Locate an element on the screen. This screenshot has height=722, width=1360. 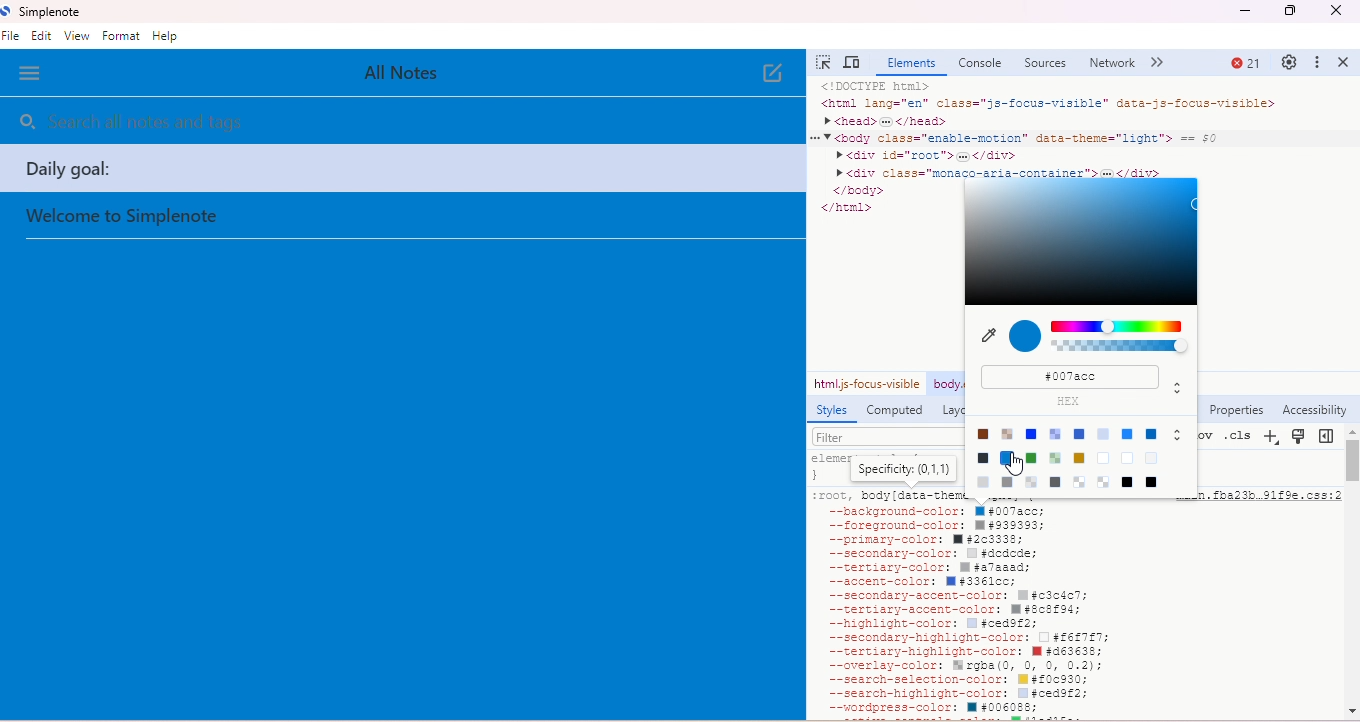
minimize is located at coordinates (1242, 13).